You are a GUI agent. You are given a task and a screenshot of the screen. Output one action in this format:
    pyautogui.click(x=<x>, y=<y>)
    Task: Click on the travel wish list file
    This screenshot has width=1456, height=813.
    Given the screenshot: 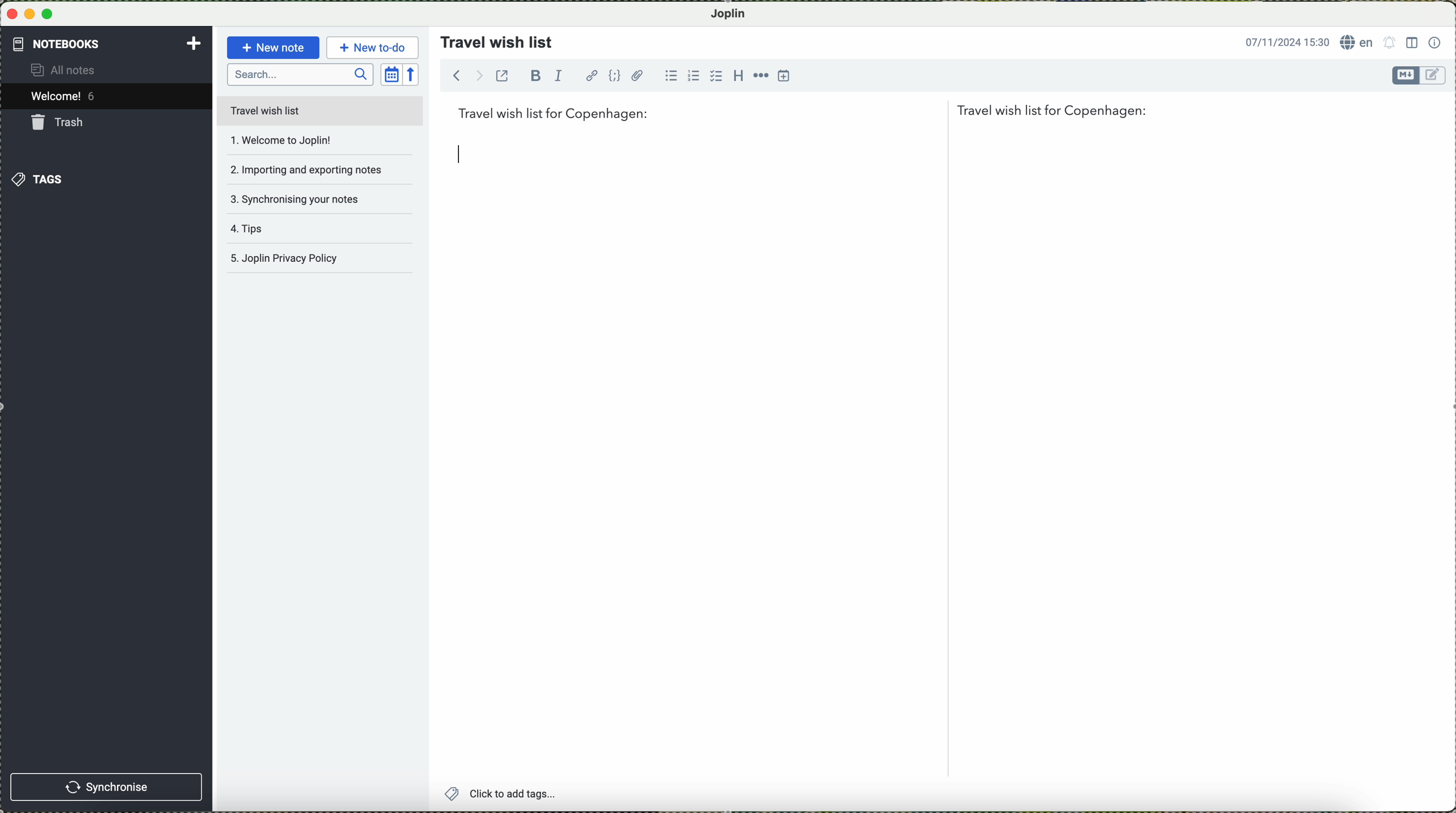 What is the action you would take?
    pyautogui.click(x=319, y=110)
    